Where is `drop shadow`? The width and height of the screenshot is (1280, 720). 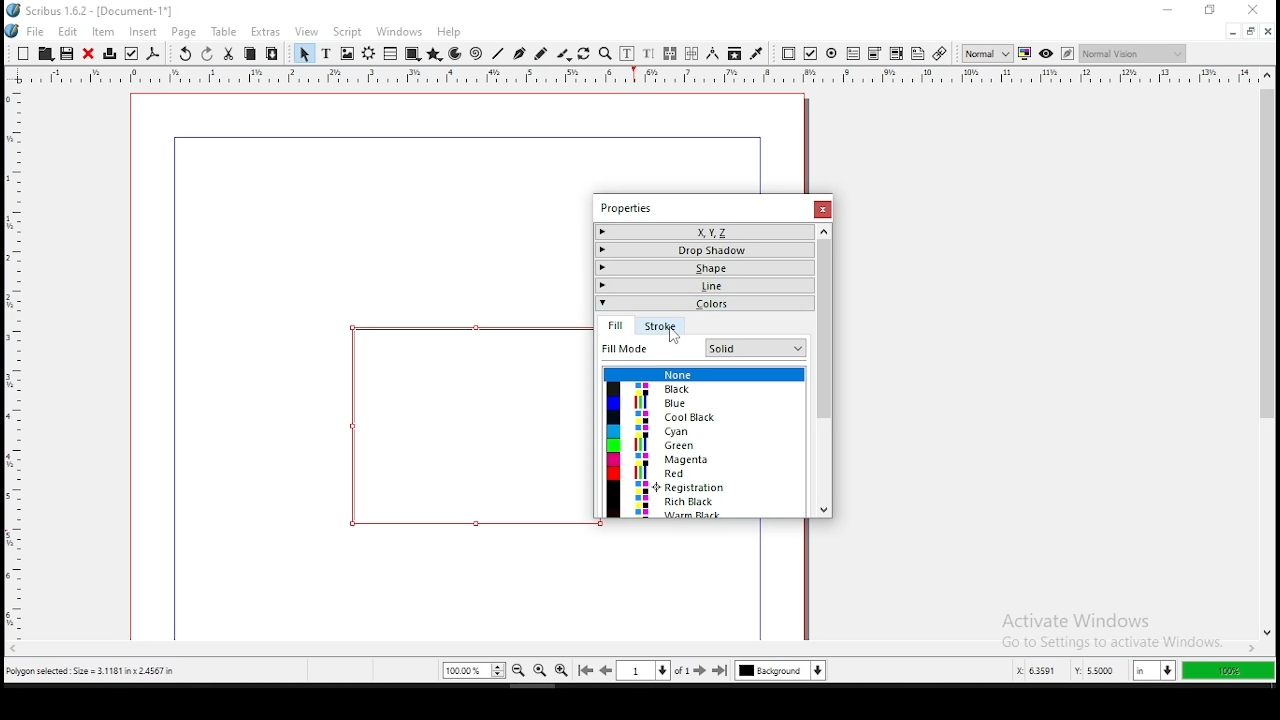
drop shadow is located at coordinates (702, 250).